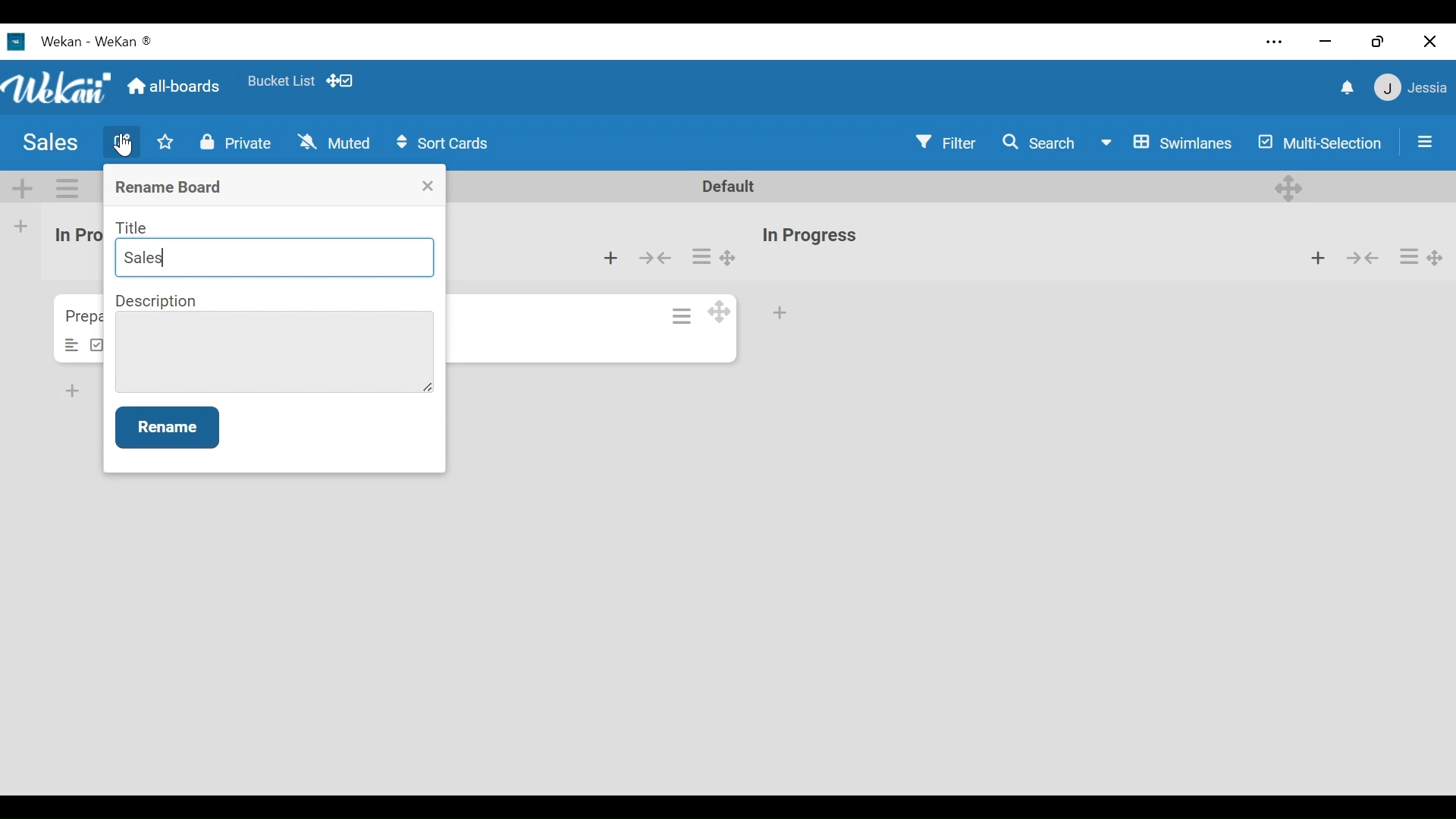  I want to click on Wekan, so click(81, 40).